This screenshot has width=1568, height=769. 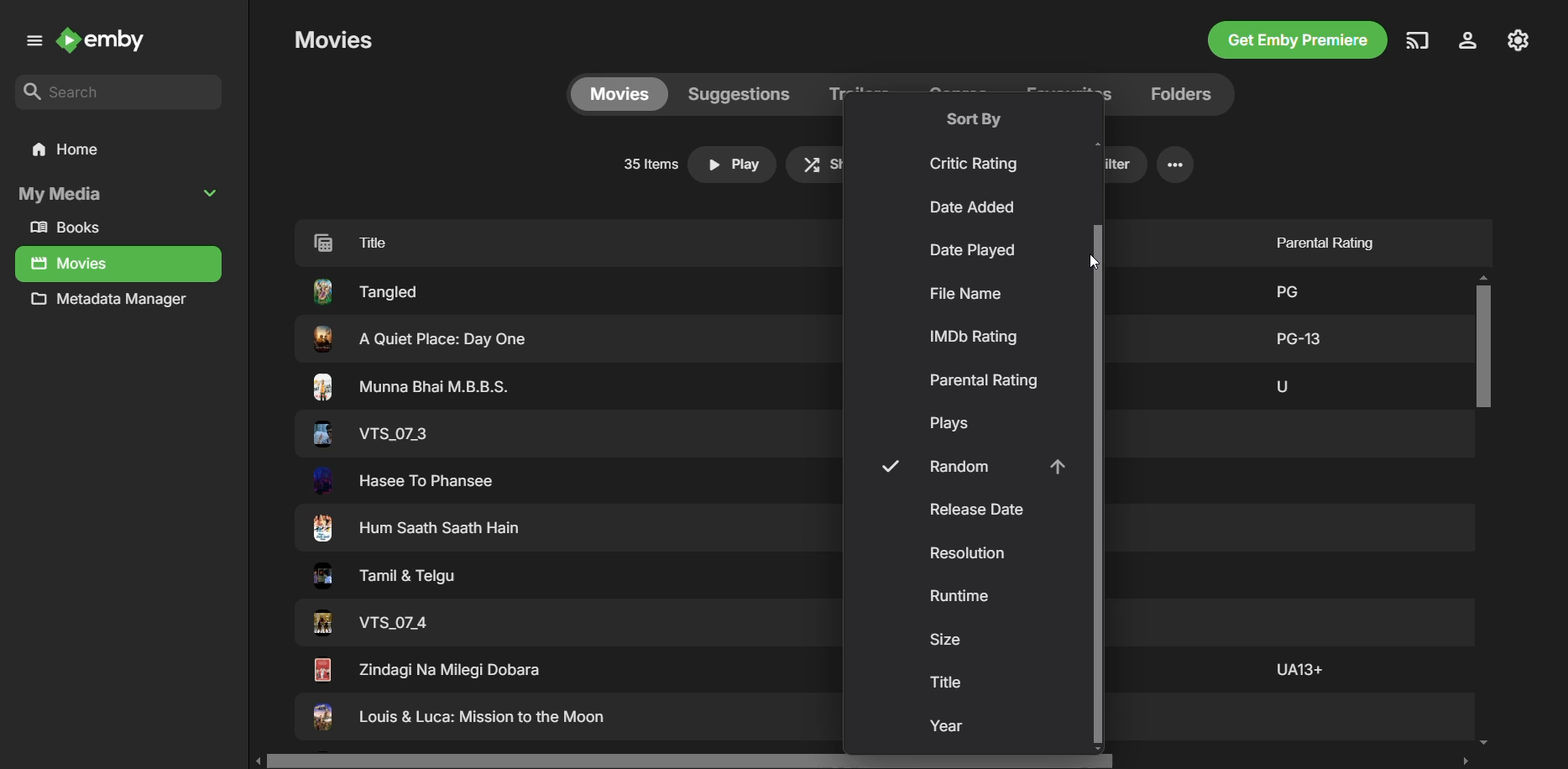 I want to click on Resolution, so click(x=970, y=554).